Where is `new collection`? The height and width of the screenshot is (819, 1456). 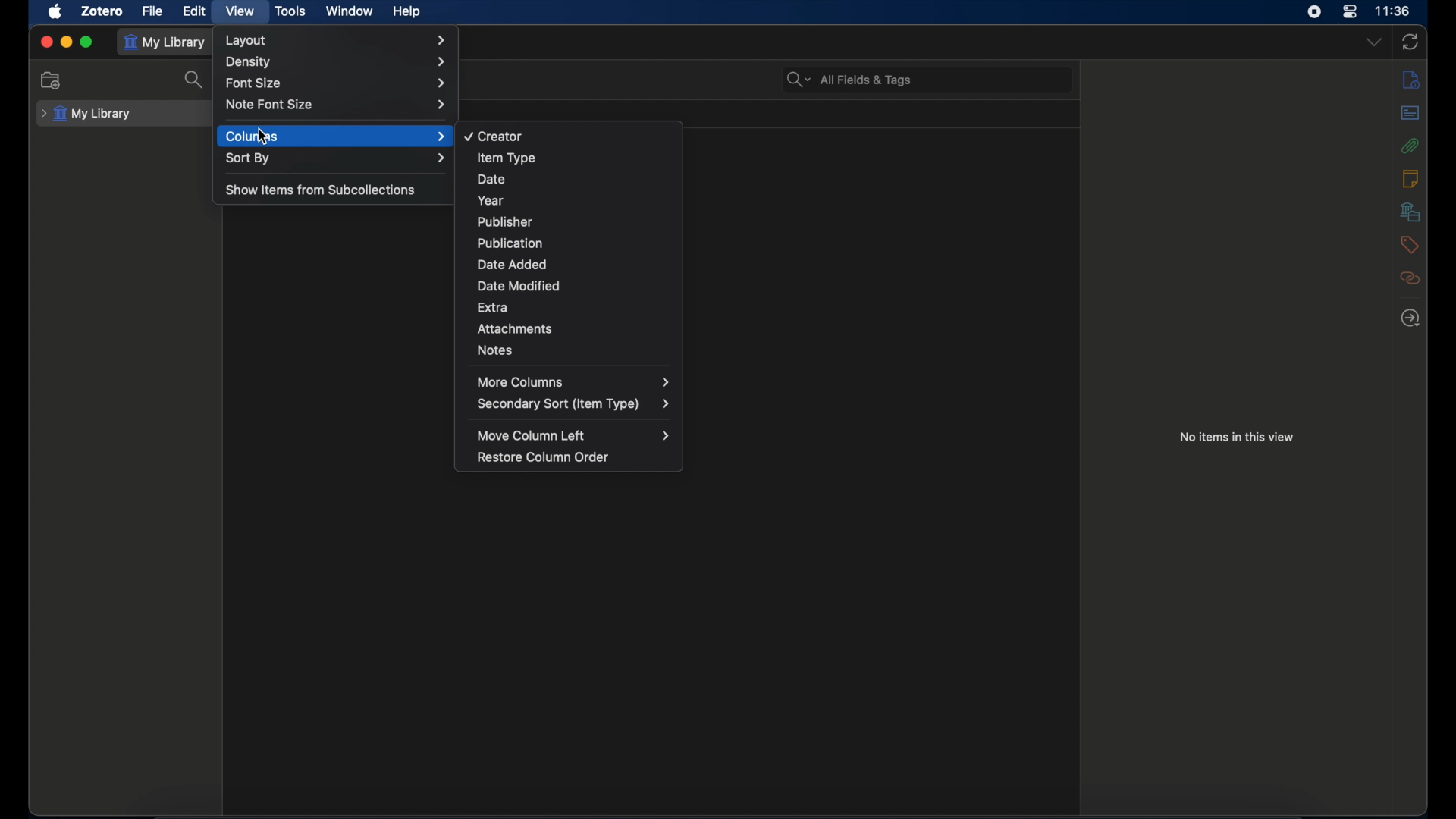 new collection is located at coordinates (53, 81).